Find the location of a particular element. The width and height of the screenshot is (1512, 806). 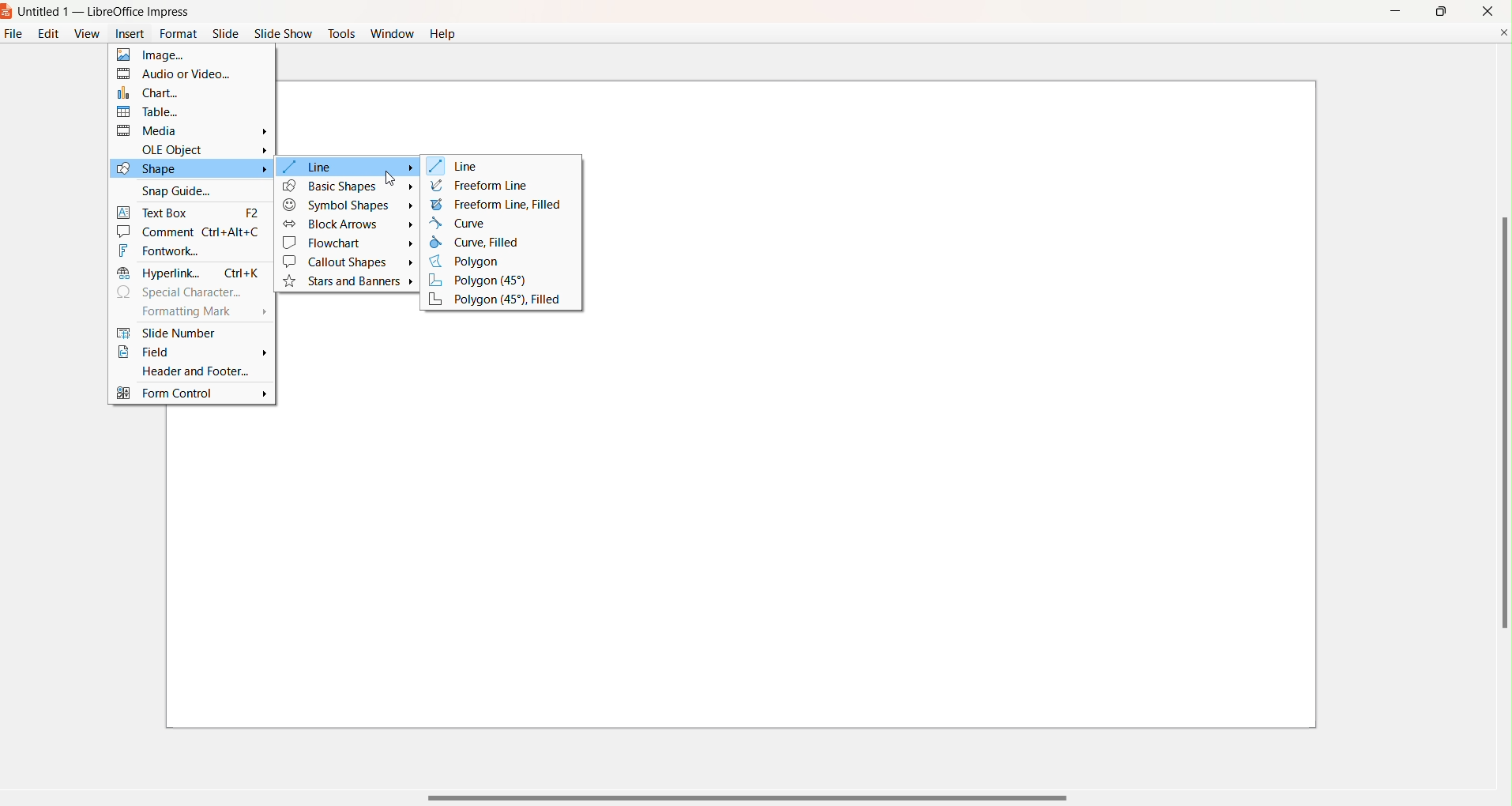

Polygon is located at coordinates (475, 262).